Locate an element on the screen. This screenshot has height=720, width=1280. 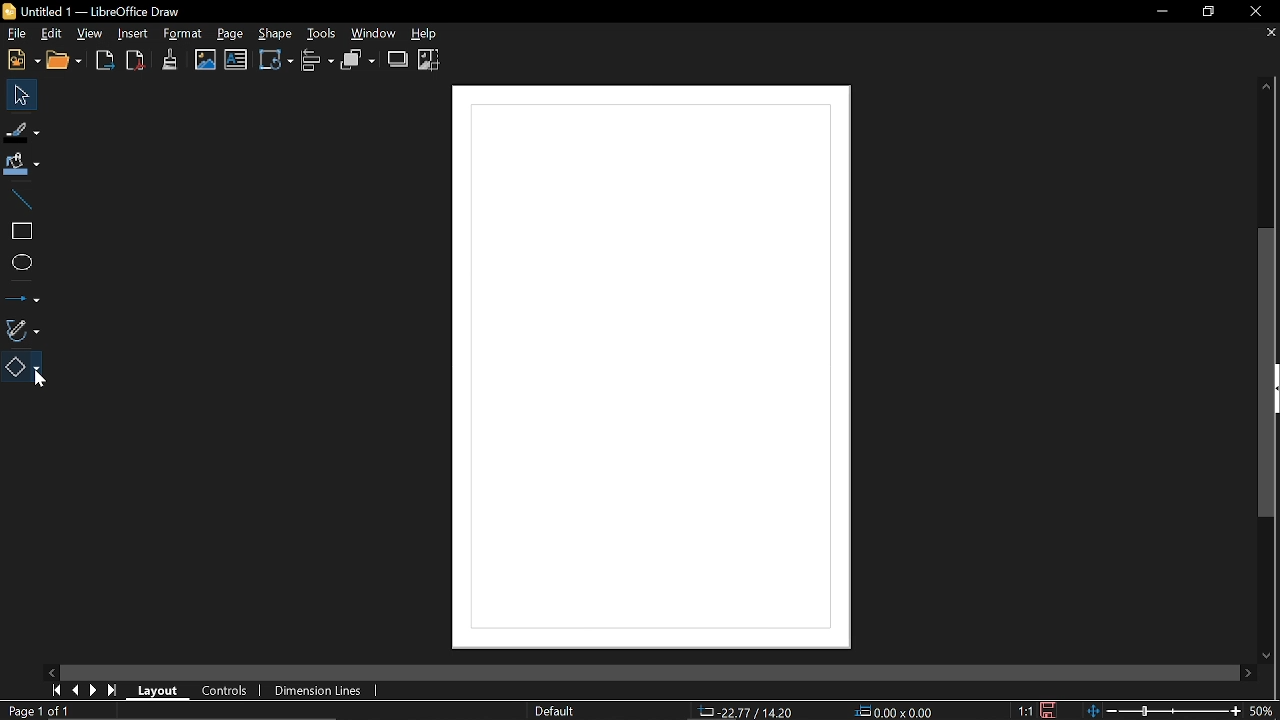
Page is located at coordinates (230, 34).